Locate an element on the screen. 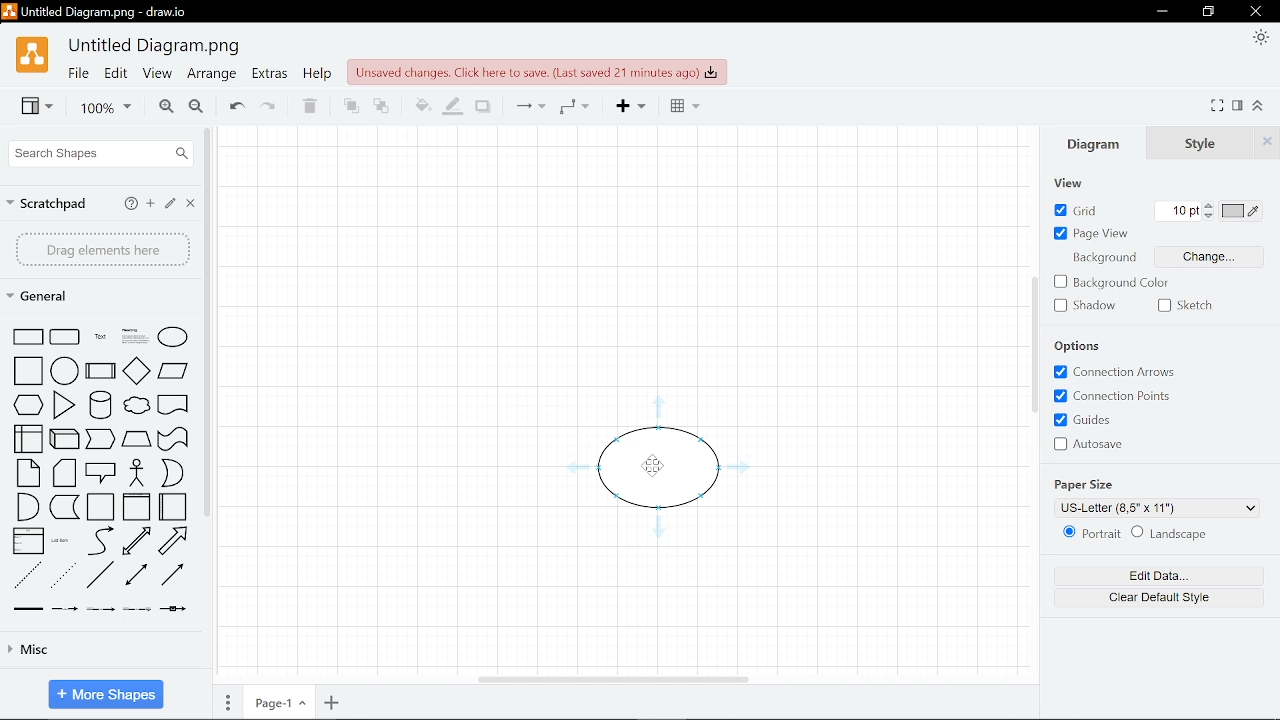 The height and width of the screenshot is (720, 1280). View is located at coordinates (38, 106).